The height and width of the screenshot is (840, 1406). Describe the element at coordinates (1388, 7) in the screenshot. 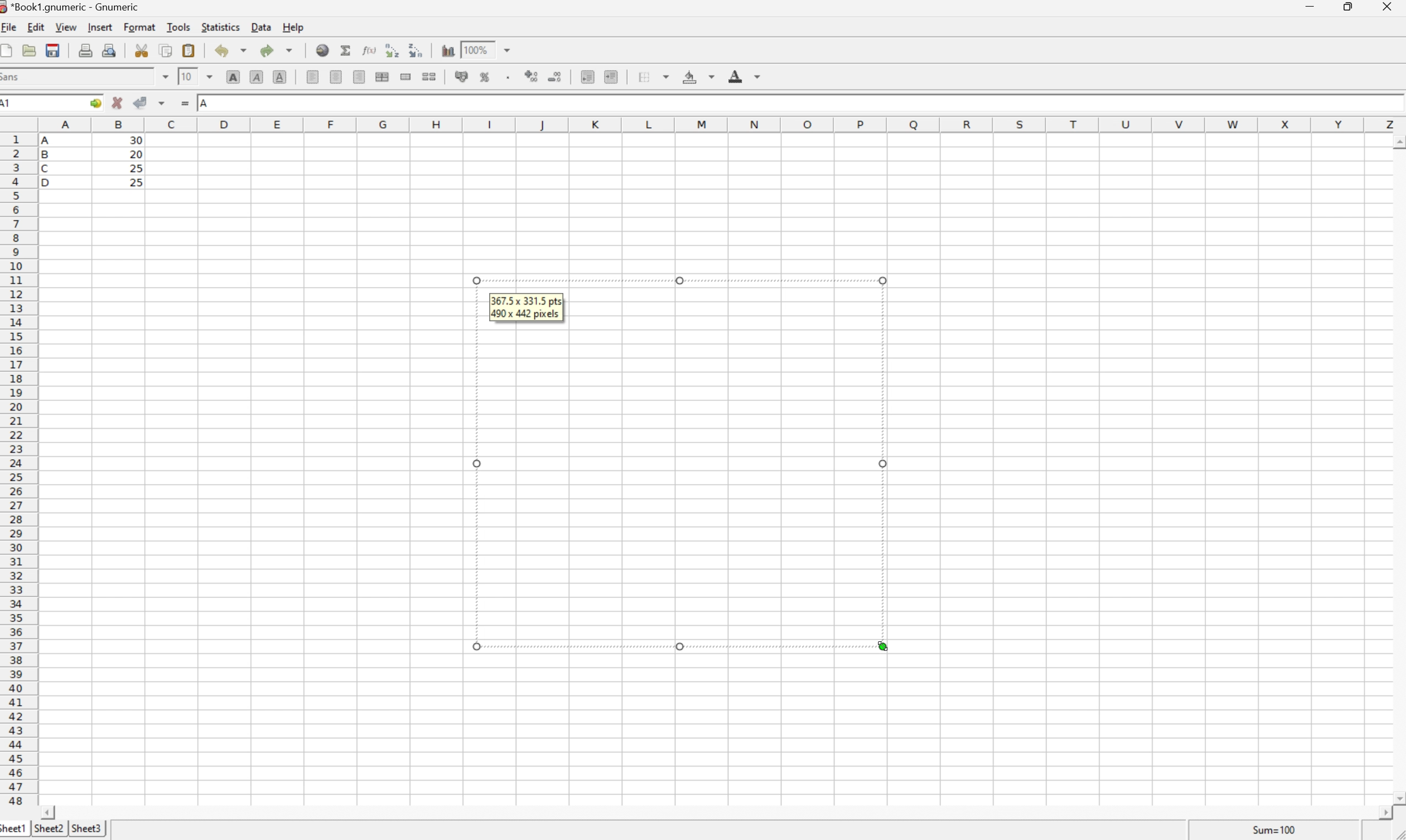

I see `Close` at that location.